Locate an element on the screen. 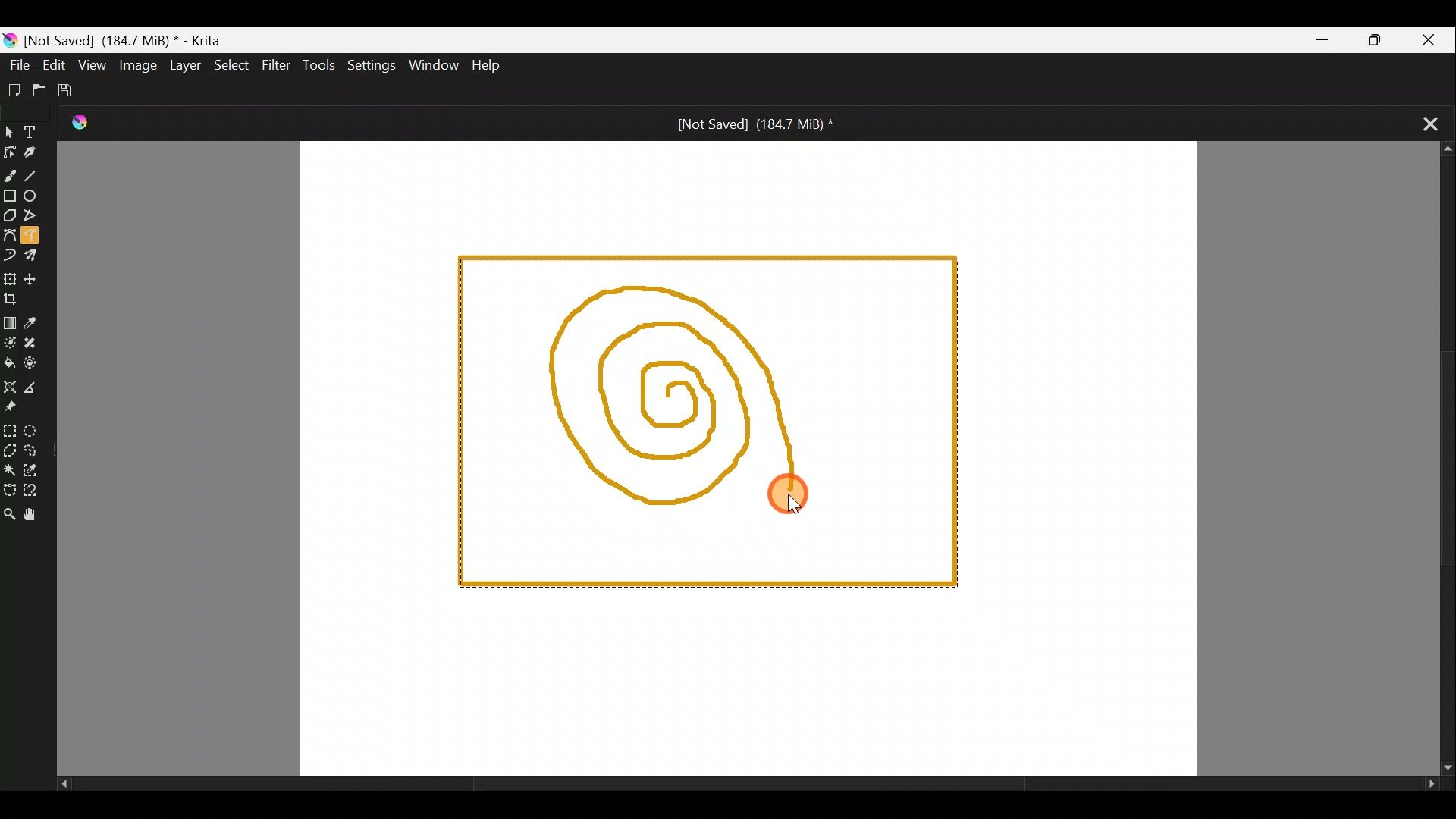 Image resolution: width=1456 pixels, height=819 pixels. Rectangle tool is located at coordinates (9, 196).